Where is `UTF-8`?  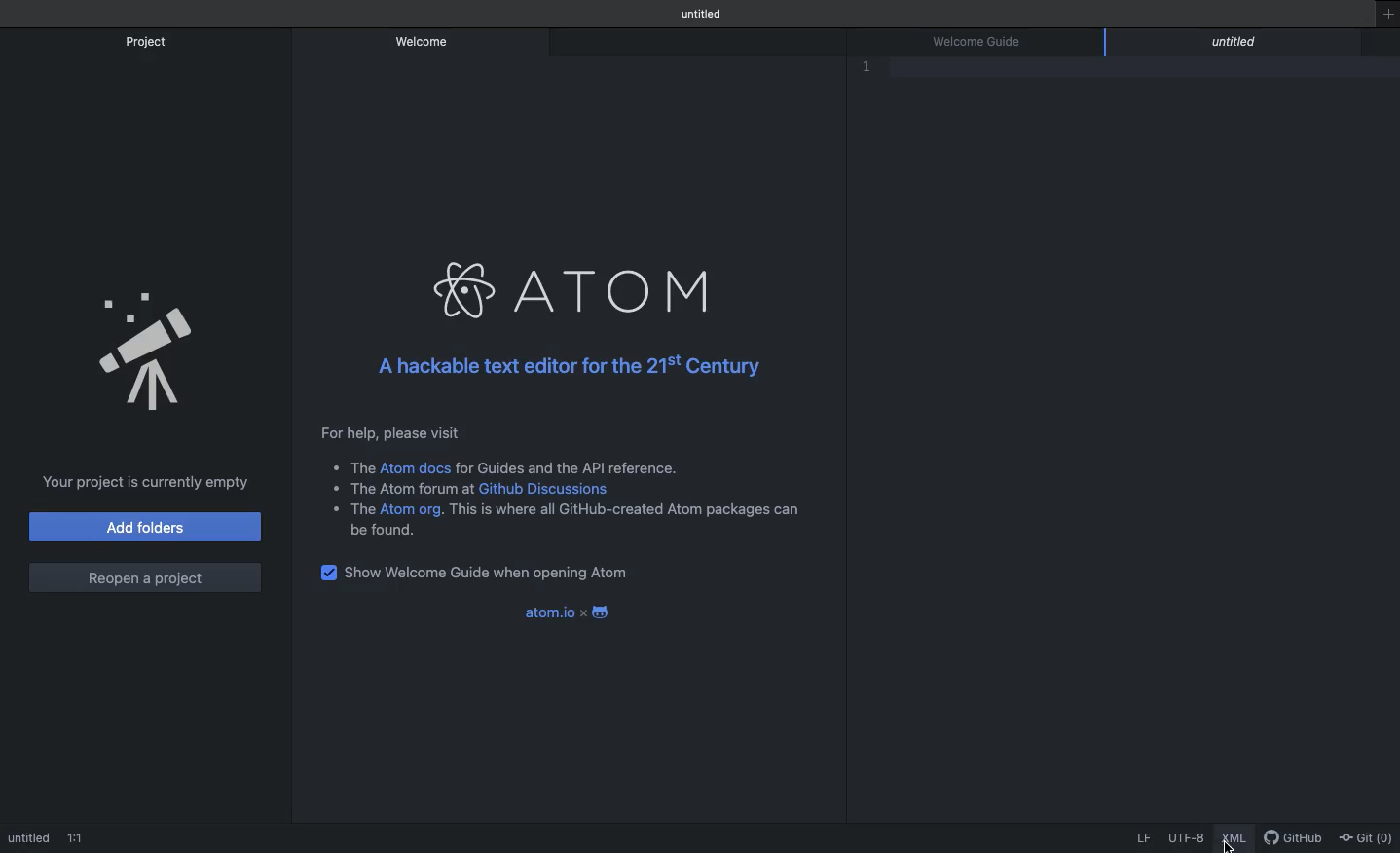 UTF-8 is located at coordinates (1188, 836).